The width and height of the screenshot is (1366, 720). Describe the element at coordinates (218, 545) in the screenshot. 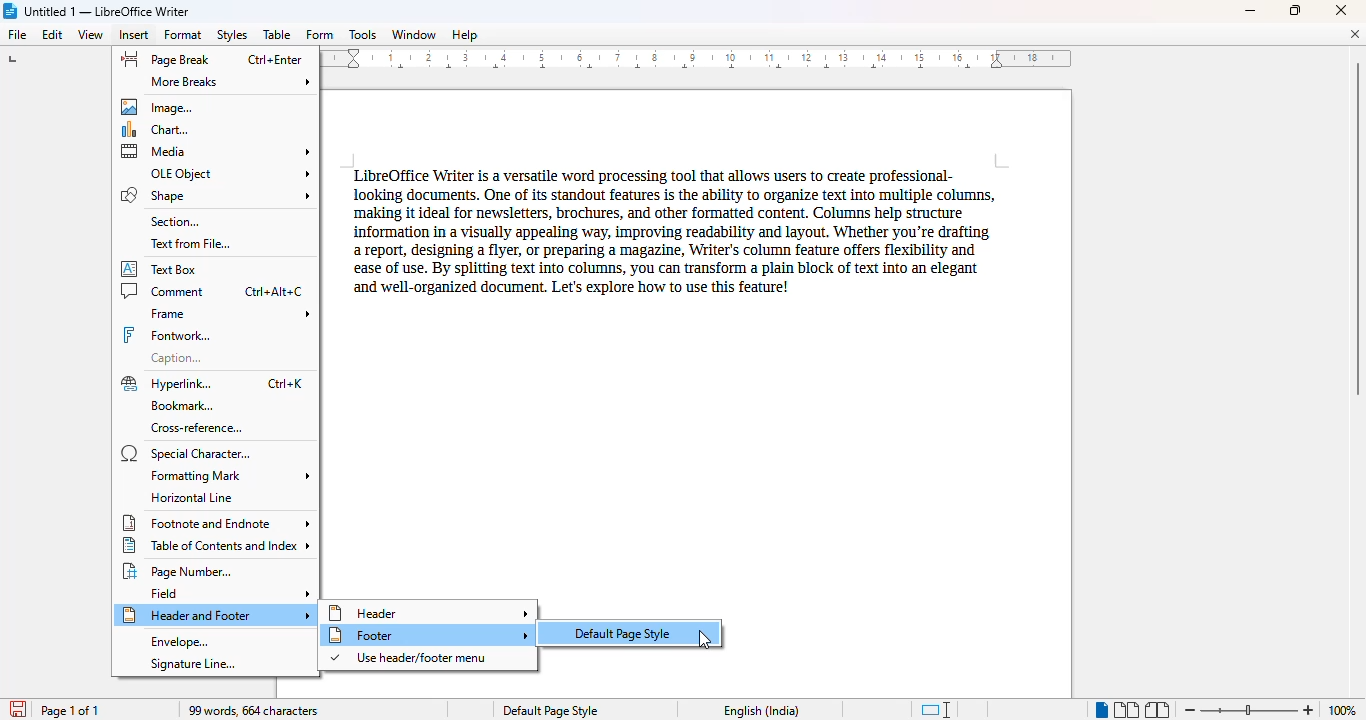

I see `table of contents and index` at that location.